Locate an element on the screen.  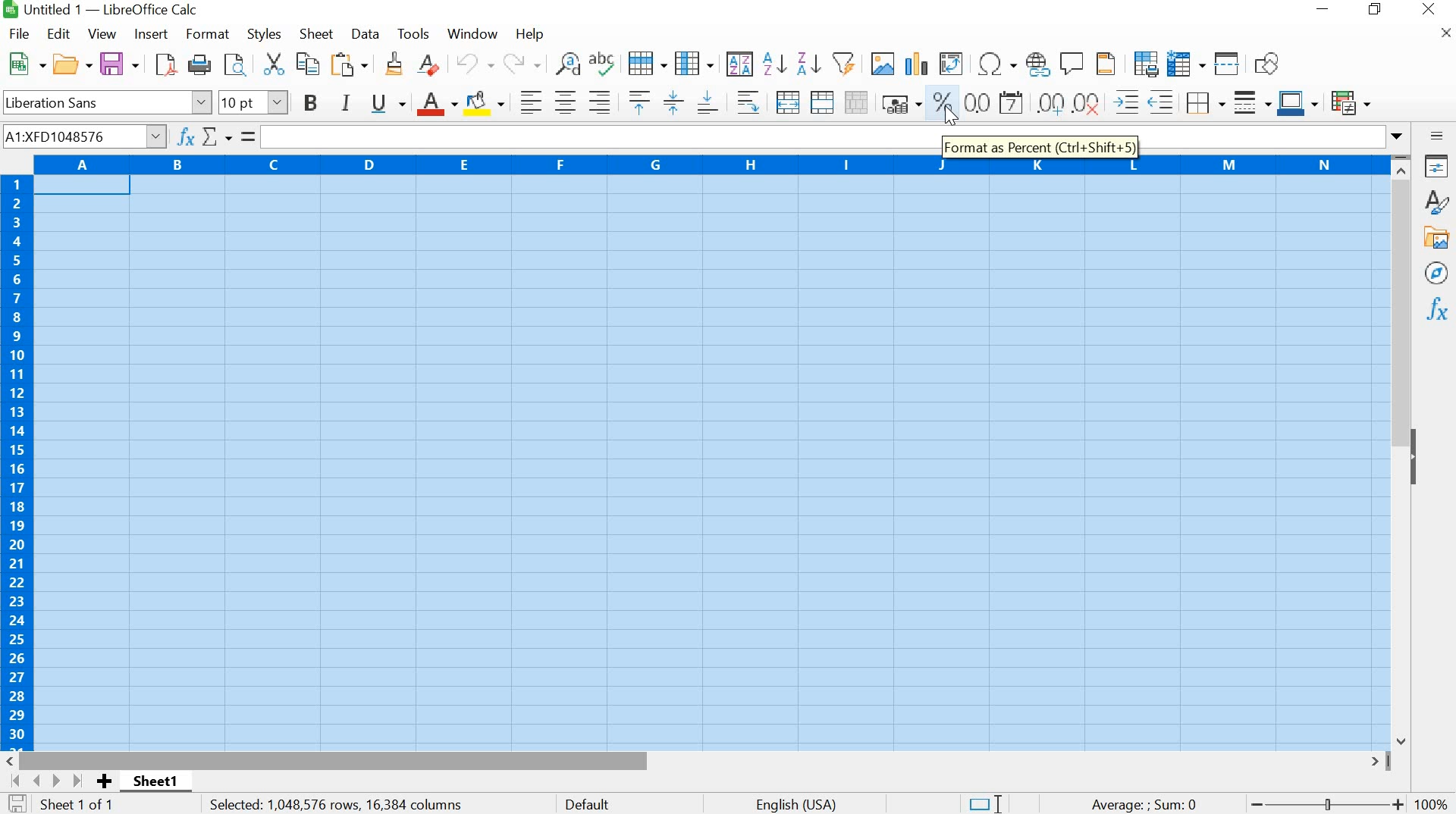
Navigator is located at coordinates (1437, 272).